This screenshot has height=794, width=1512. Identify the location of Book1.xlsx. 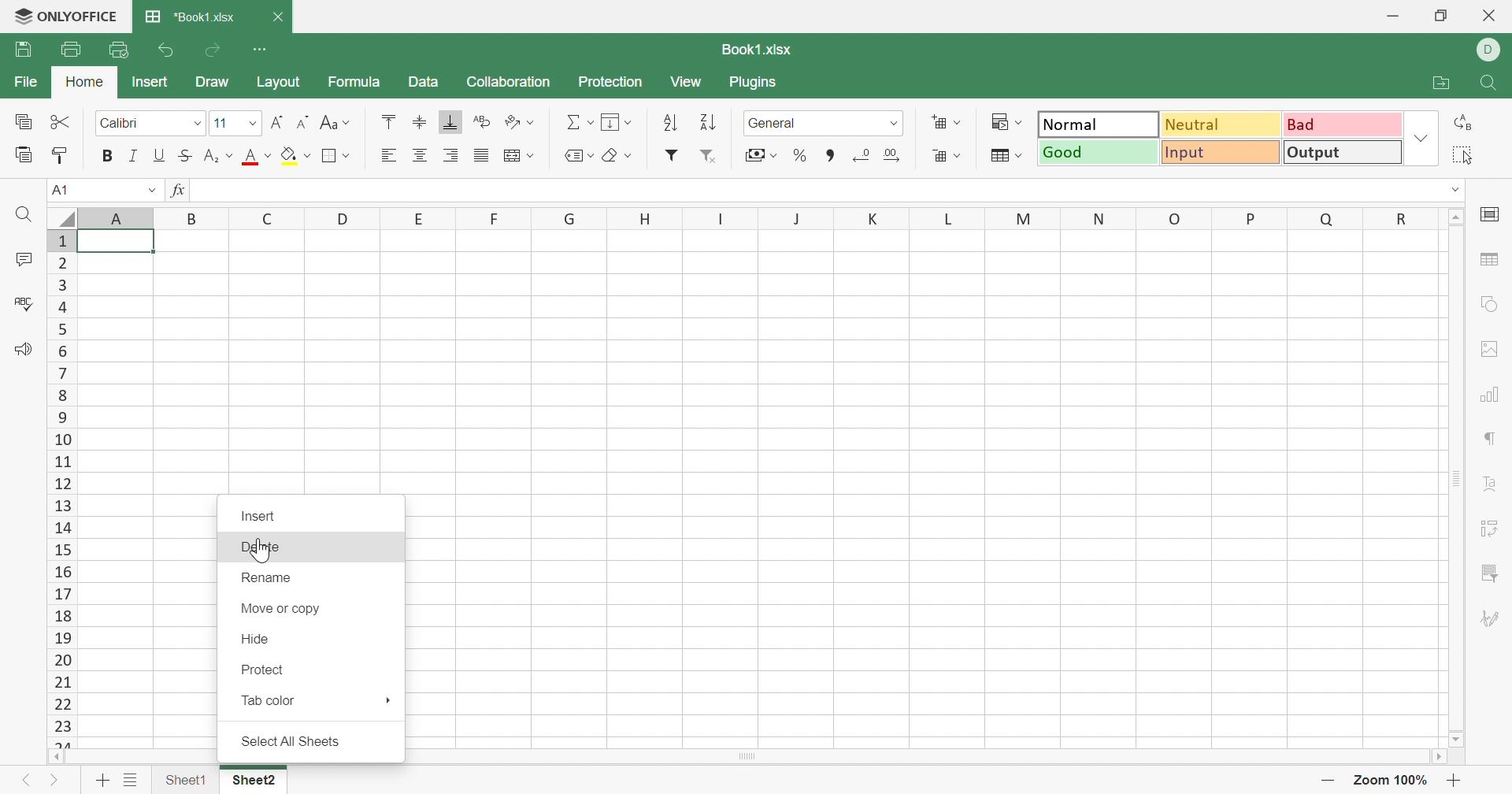
(758, 50).